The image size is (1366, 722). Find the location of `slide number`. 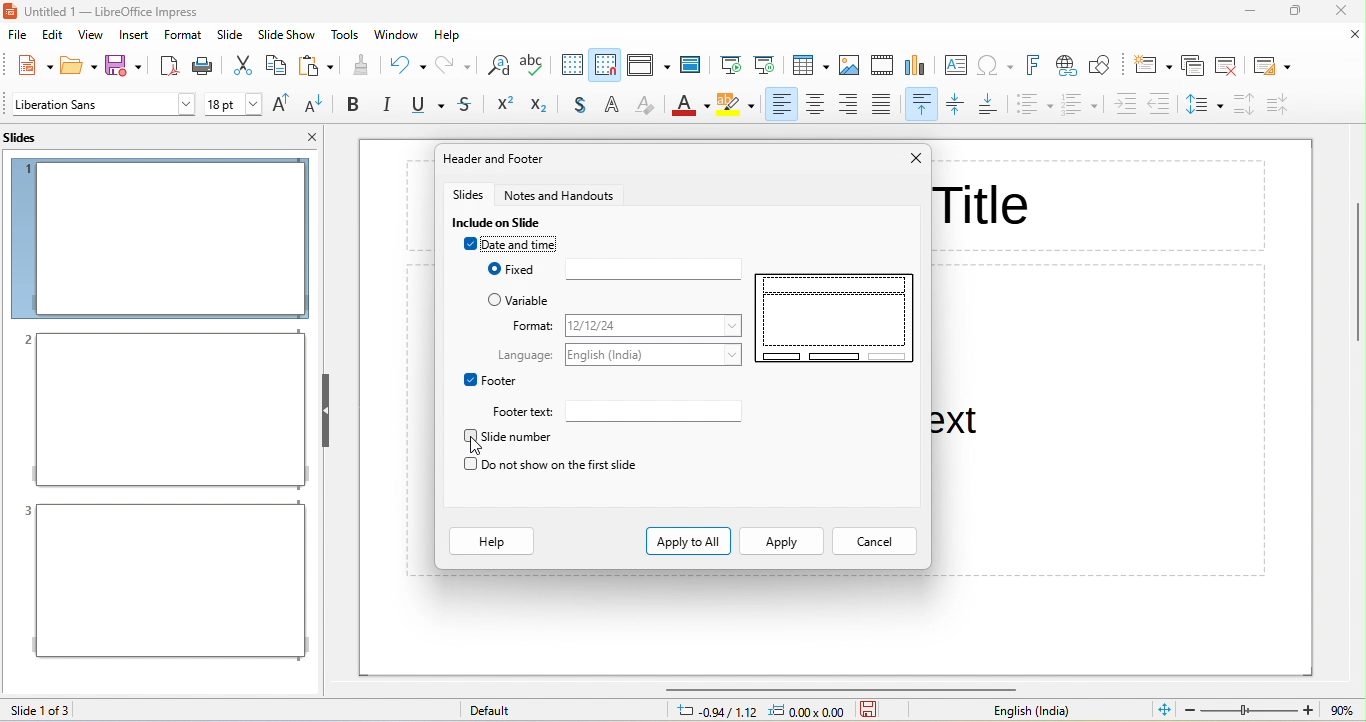

slide number is located at coordinates (519, 437).